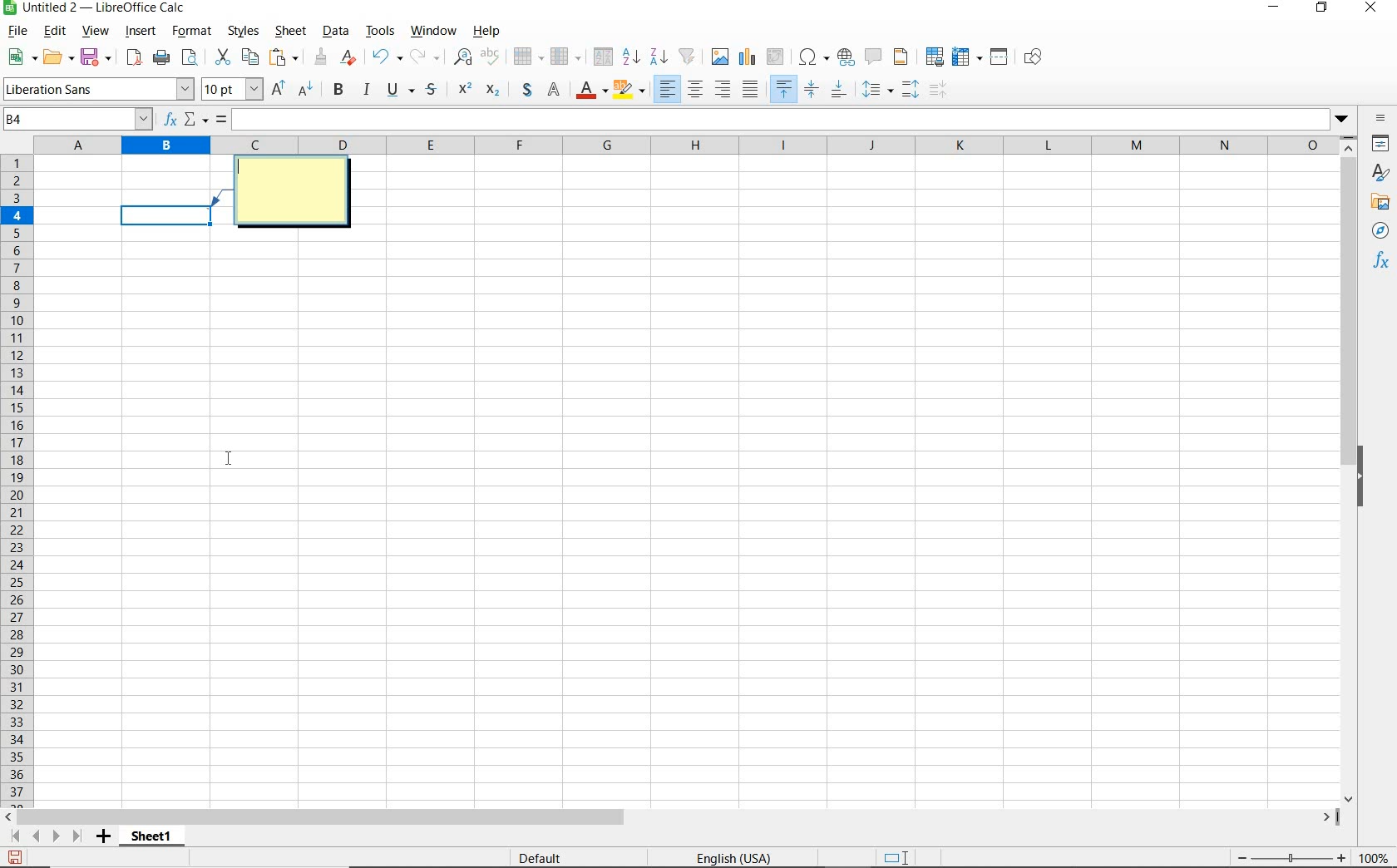 This screenshot has height=868, width=1397. What do you see at coordinates (783, 88) in the screenshot?
I see `align top` at bounding box center [783, 88].